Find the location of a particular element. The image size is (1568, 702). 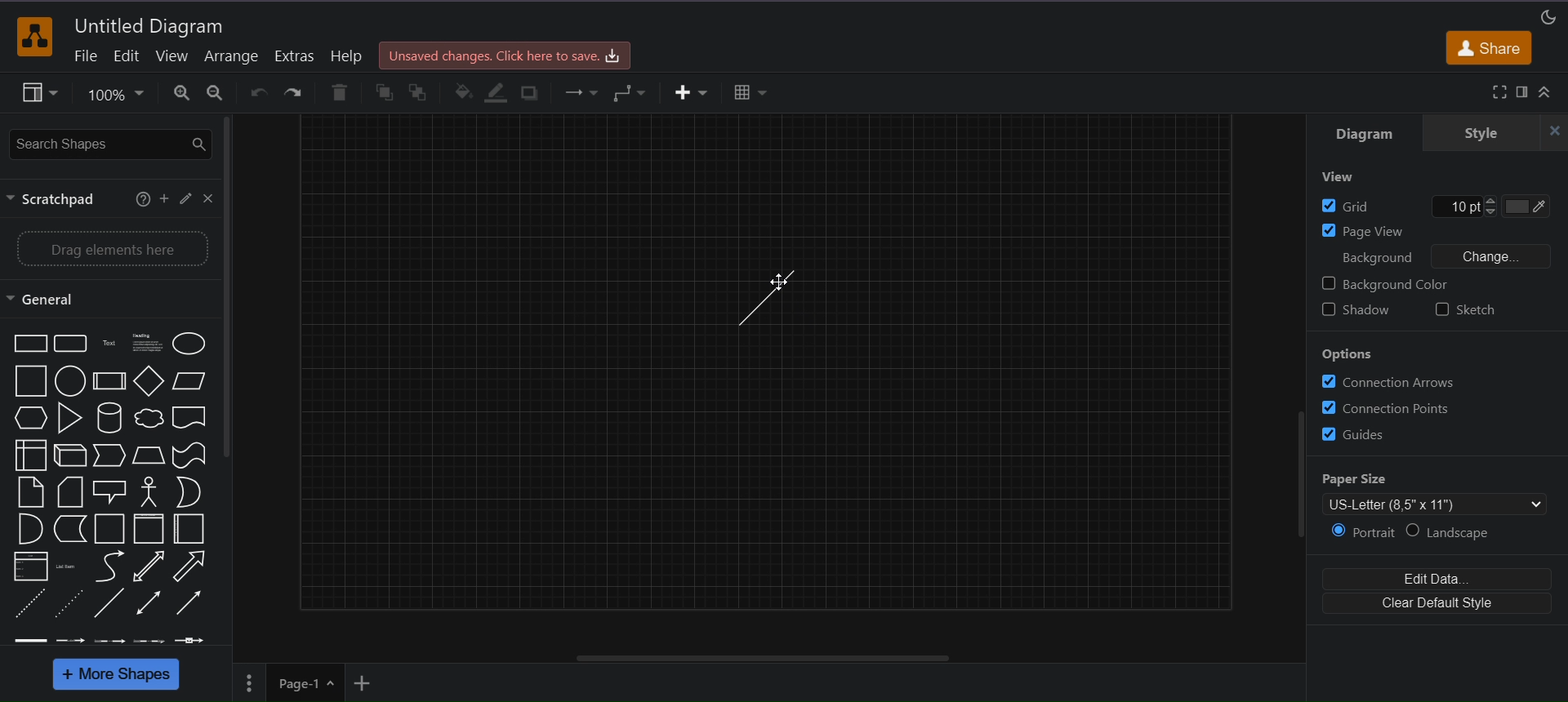

insert is located at coordinates (688, 92).